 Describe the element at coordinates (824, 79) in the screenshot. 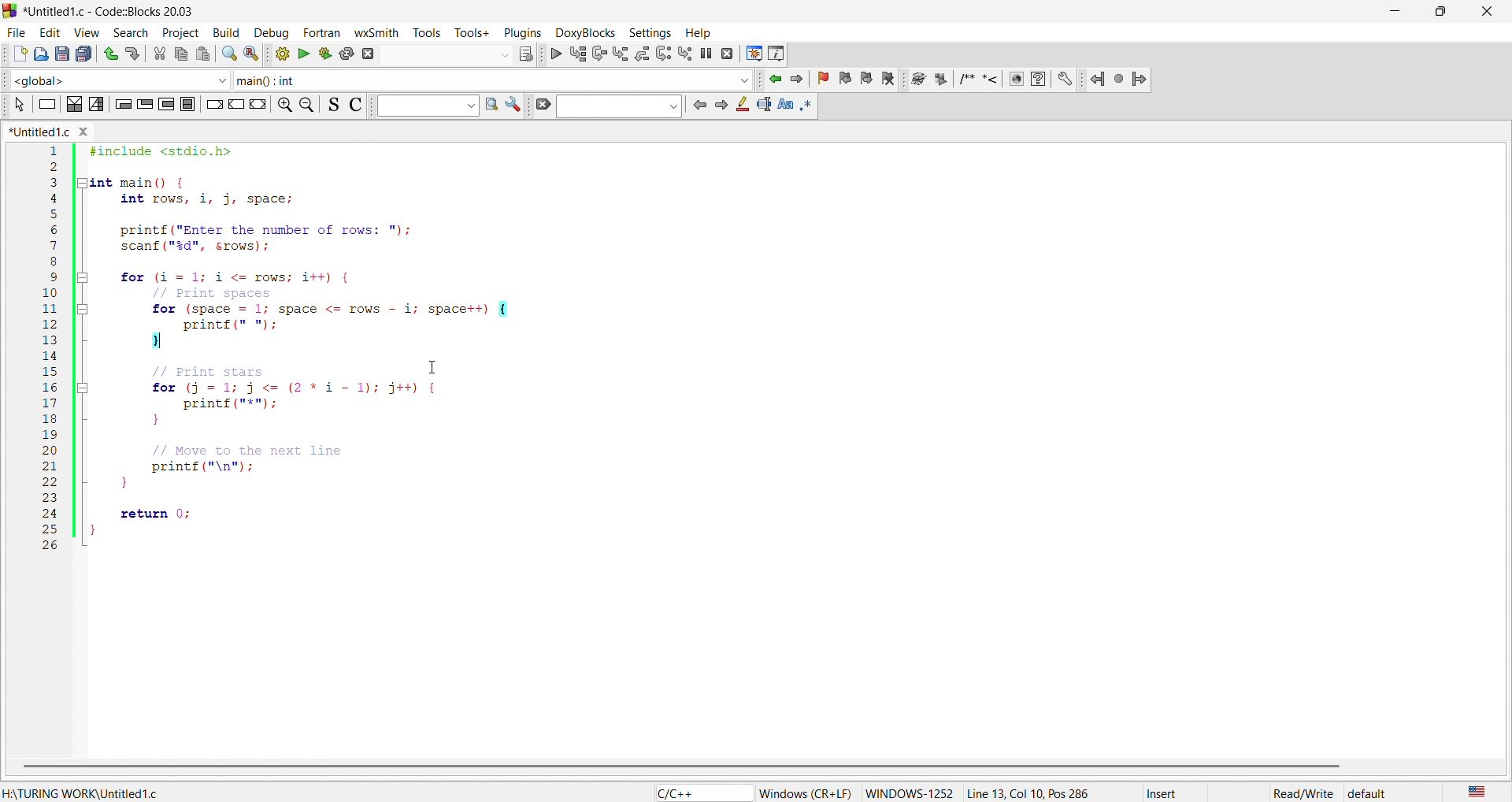

I see `toggle bookmark` at that location.